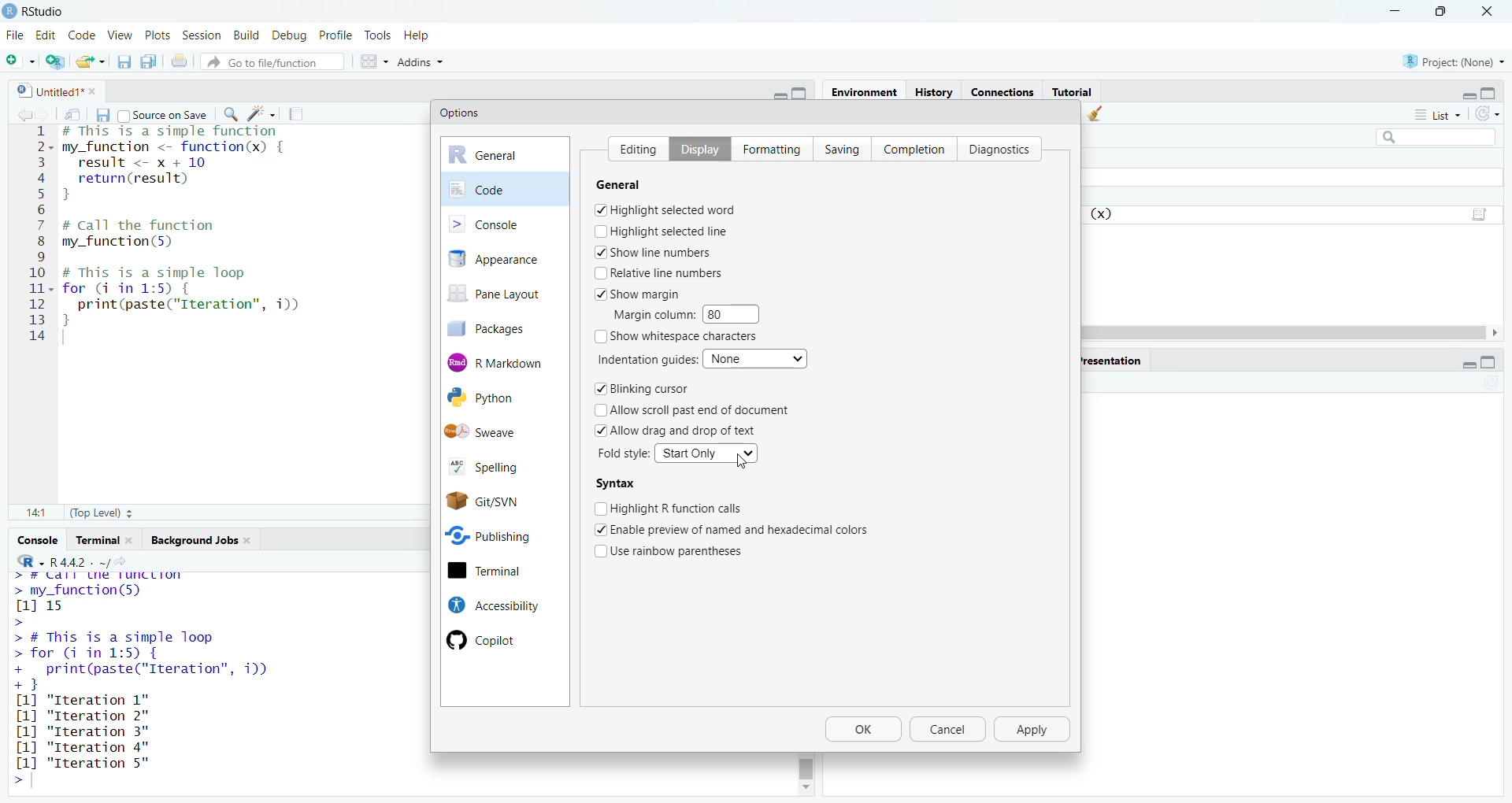  What do you see at coordinates (163, 113) in the screenshot?
I see `source on save` at bounding box center [163, 113].